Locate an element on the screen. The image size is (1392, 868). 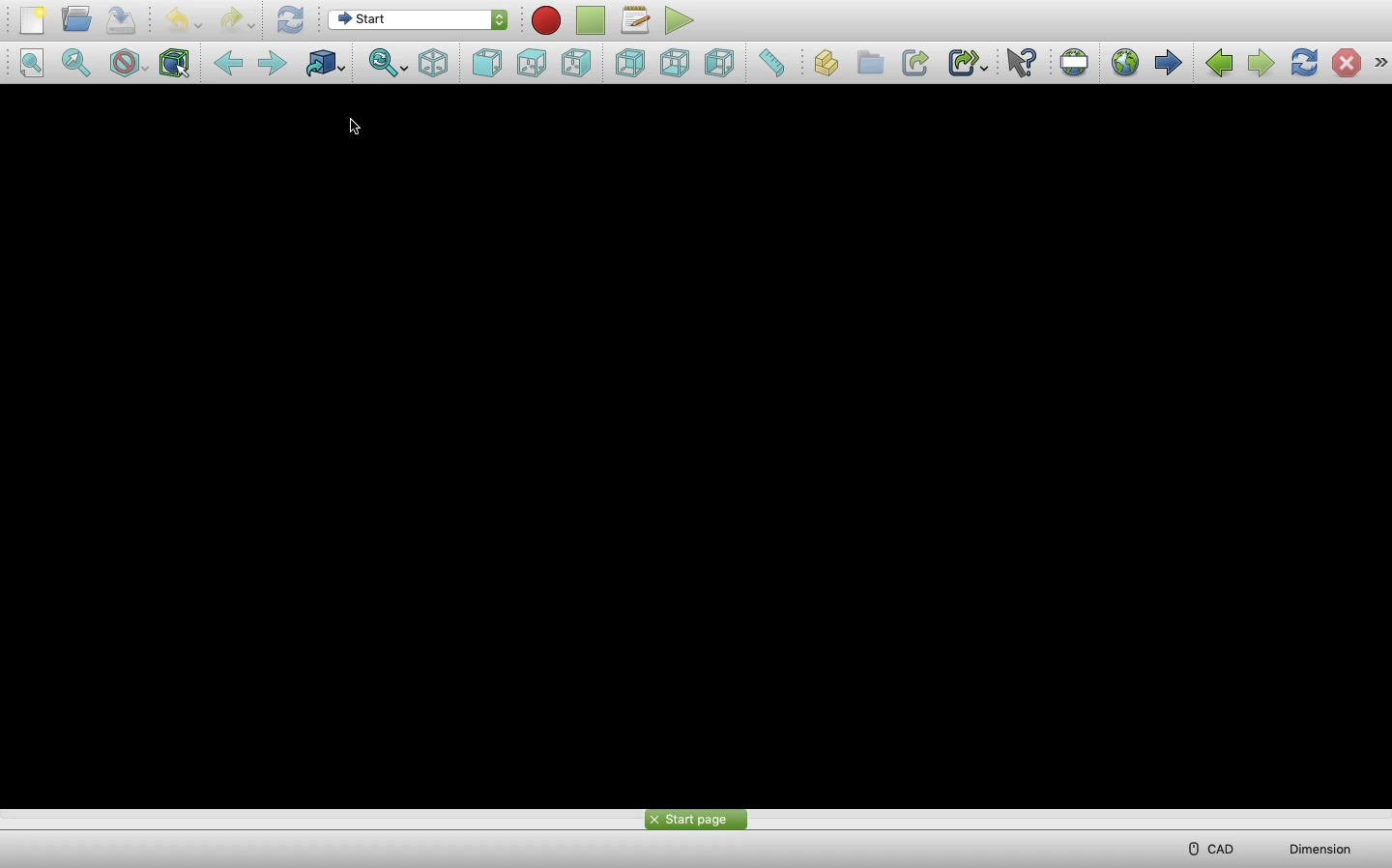
Isometric is located at coordinates (433, 63).